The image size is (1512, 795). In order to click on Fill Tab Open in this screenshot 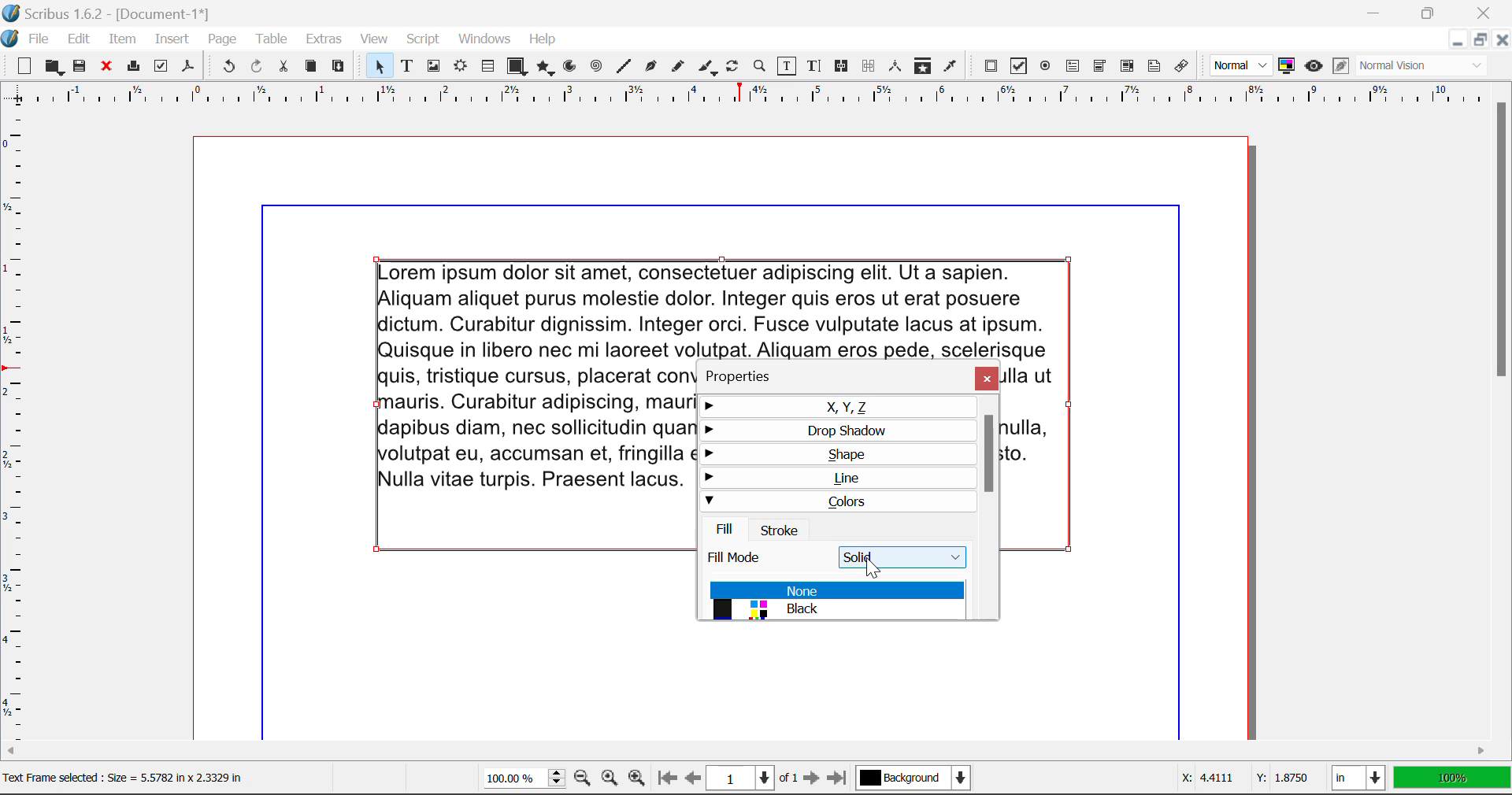, I will do `click(727, 528)`.